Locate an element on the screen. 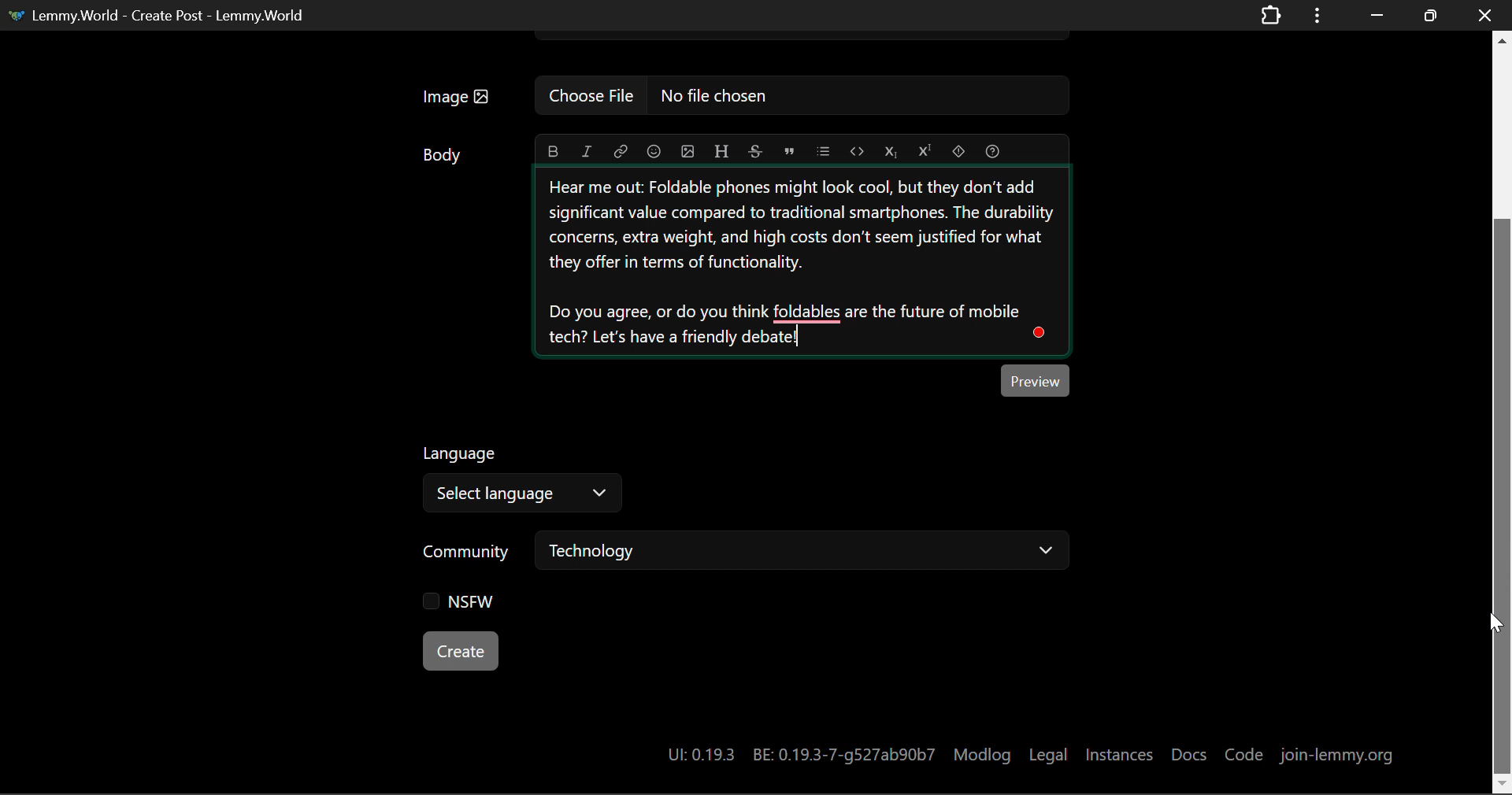  header is located at coordinates (723, 151).